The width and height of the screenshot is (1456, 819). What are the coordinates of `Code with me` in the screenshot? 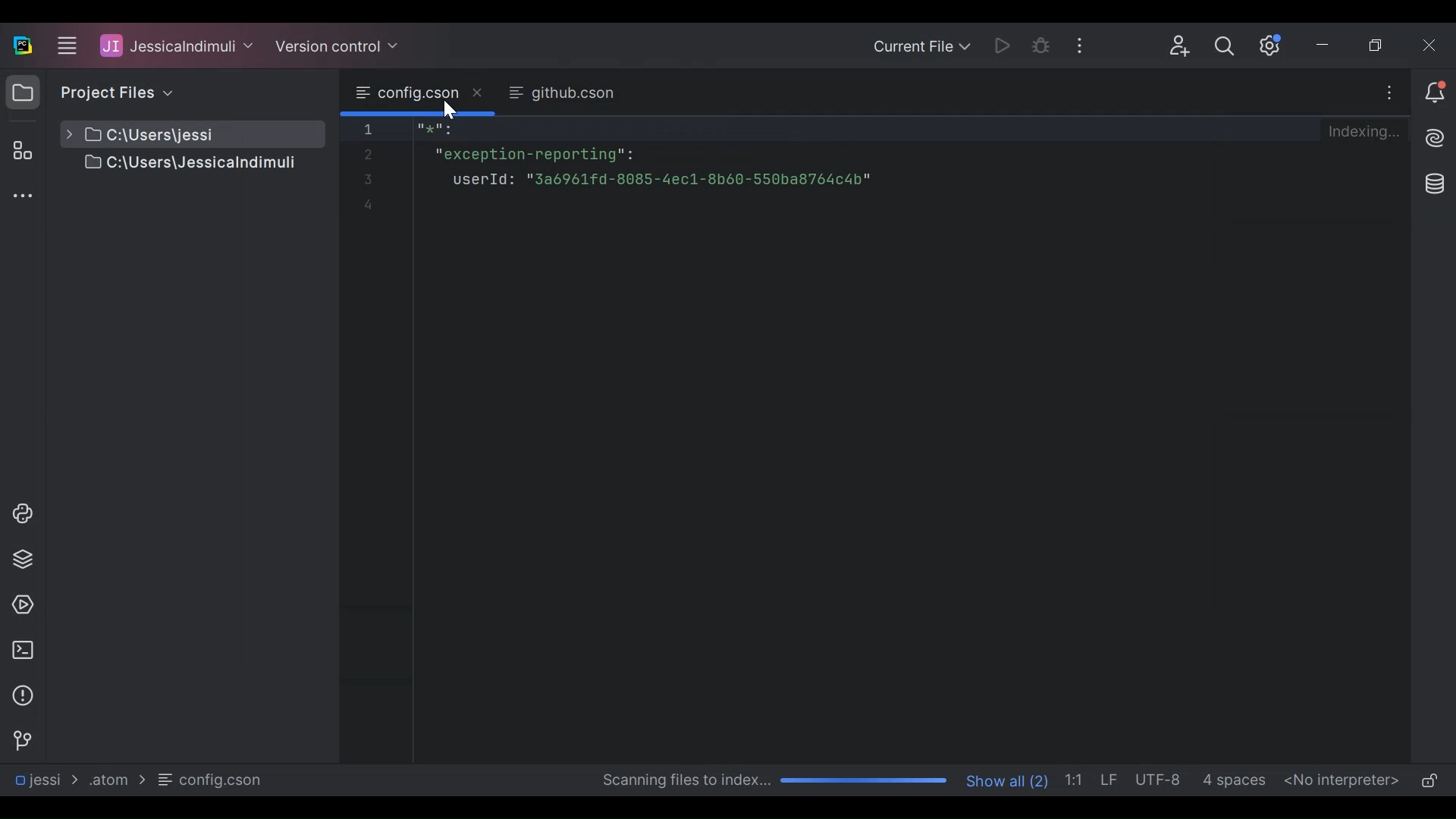 It's located at (1180, 47).